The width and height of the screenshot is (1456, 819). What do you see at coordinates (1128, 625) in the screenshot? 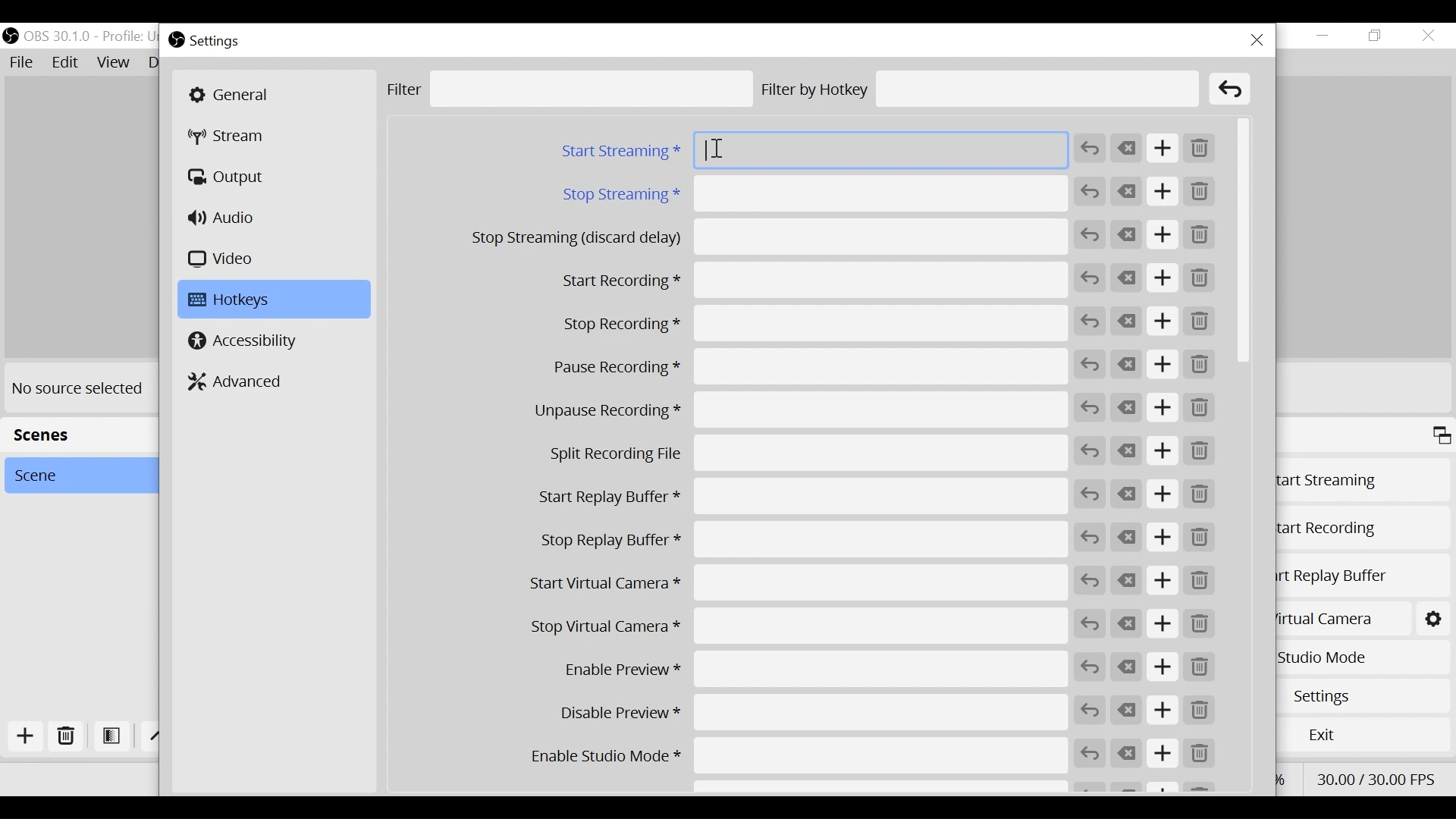
I see `Clear` at bounding box center [1128, 625].